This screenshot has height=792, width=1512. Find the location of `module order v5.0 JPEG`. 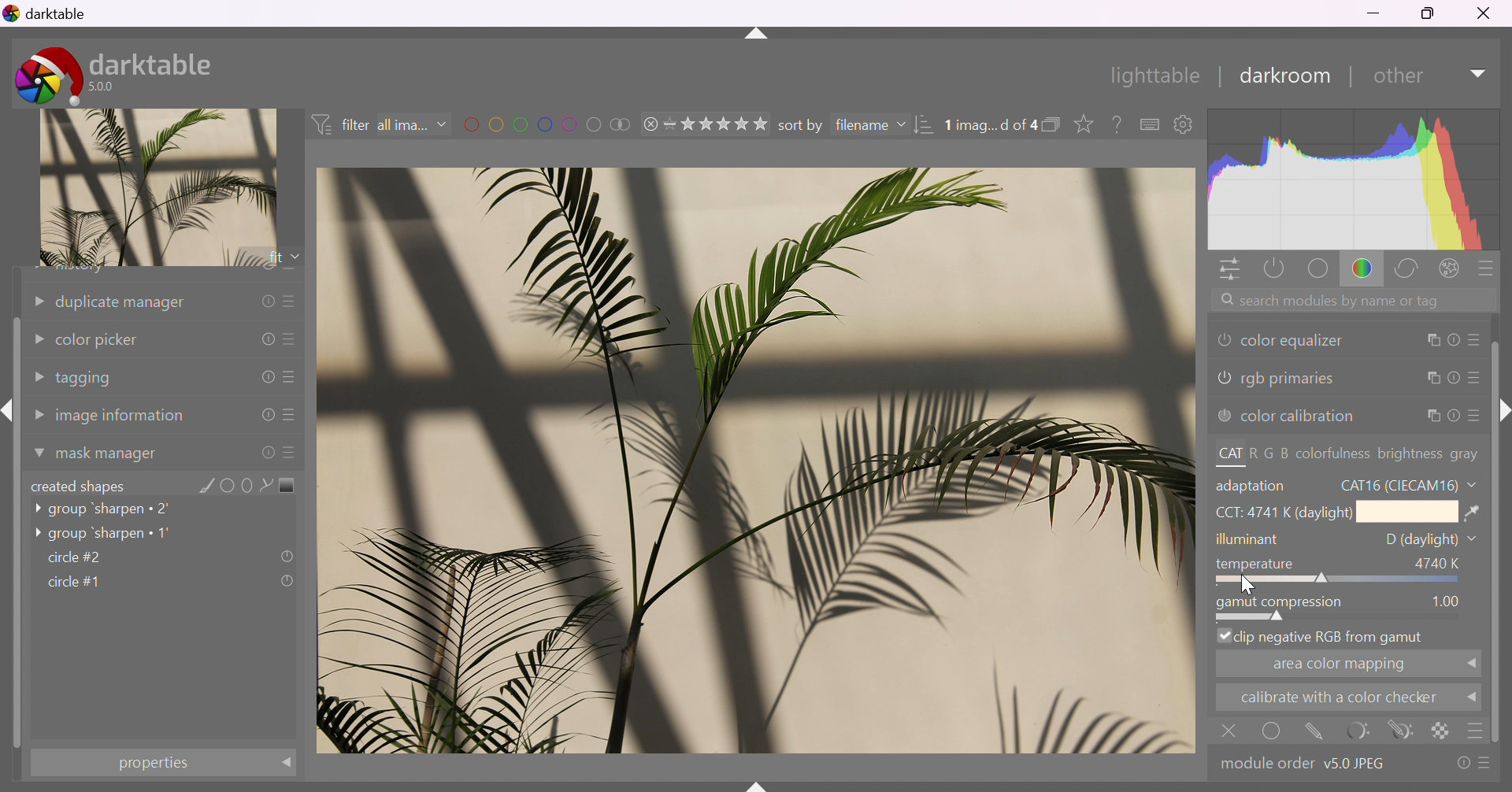

module order v5.0 JPEG is located at coordinates (1300, 764).